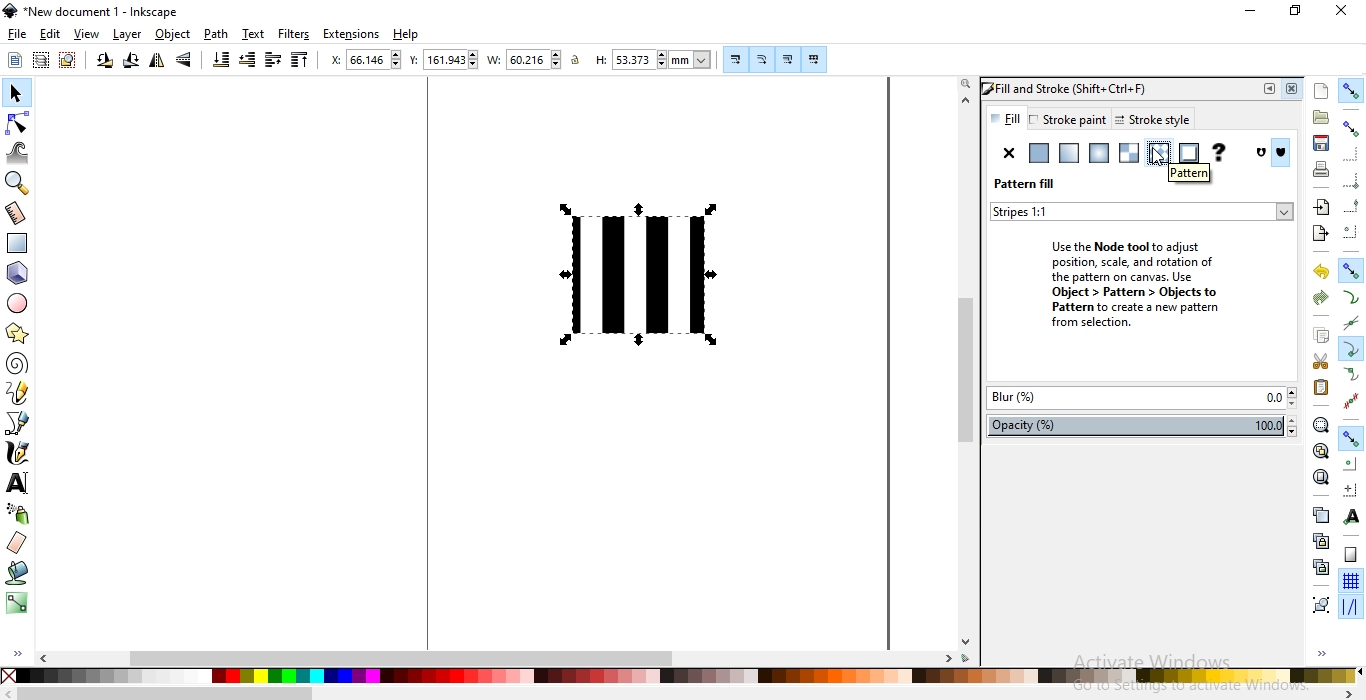 The height and width of the screenshot is (700, 1366). I want to click on height of selection, so click(598, 60).